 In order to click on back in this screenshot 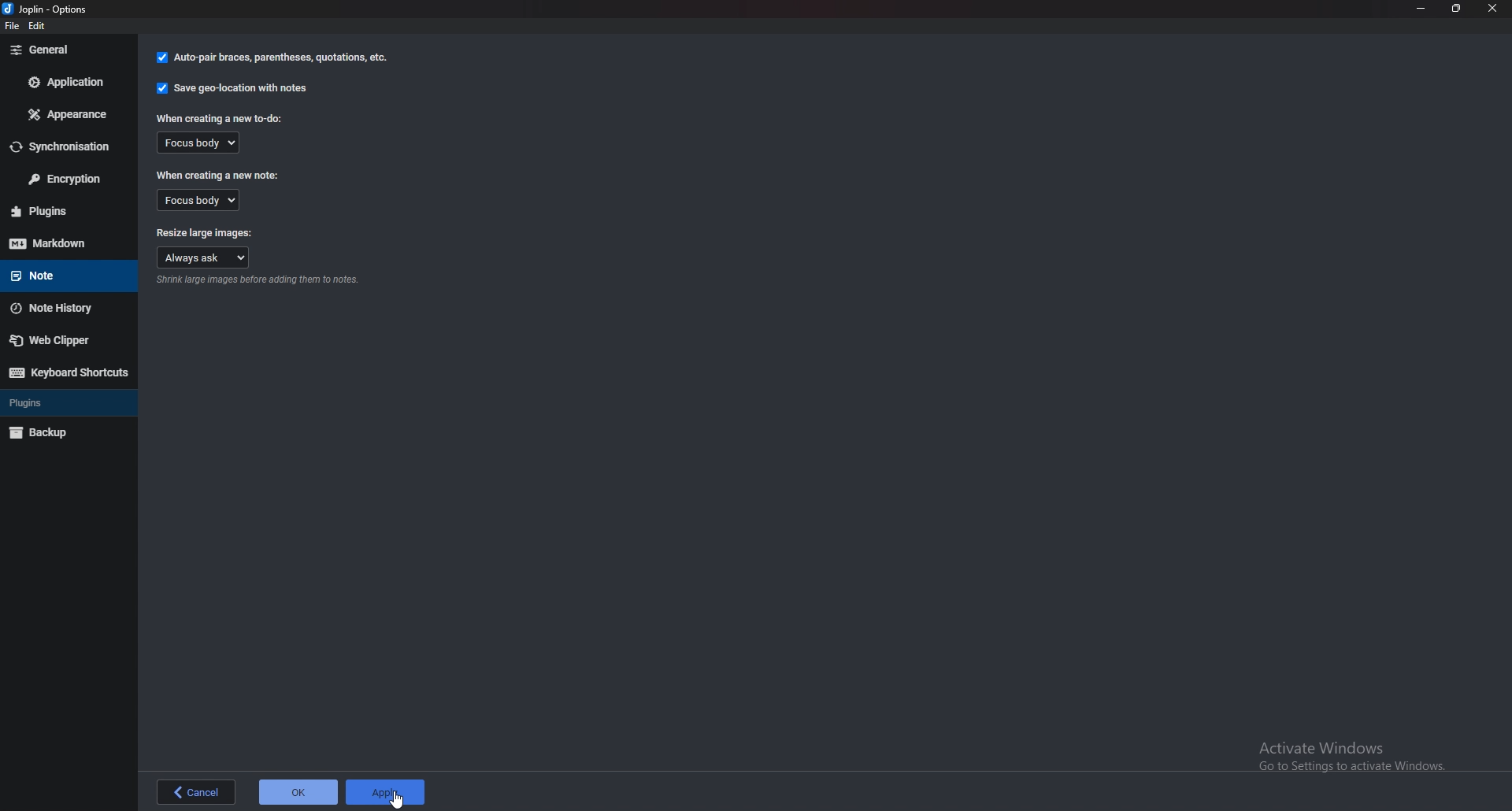, I will do `click(197, 790)`.